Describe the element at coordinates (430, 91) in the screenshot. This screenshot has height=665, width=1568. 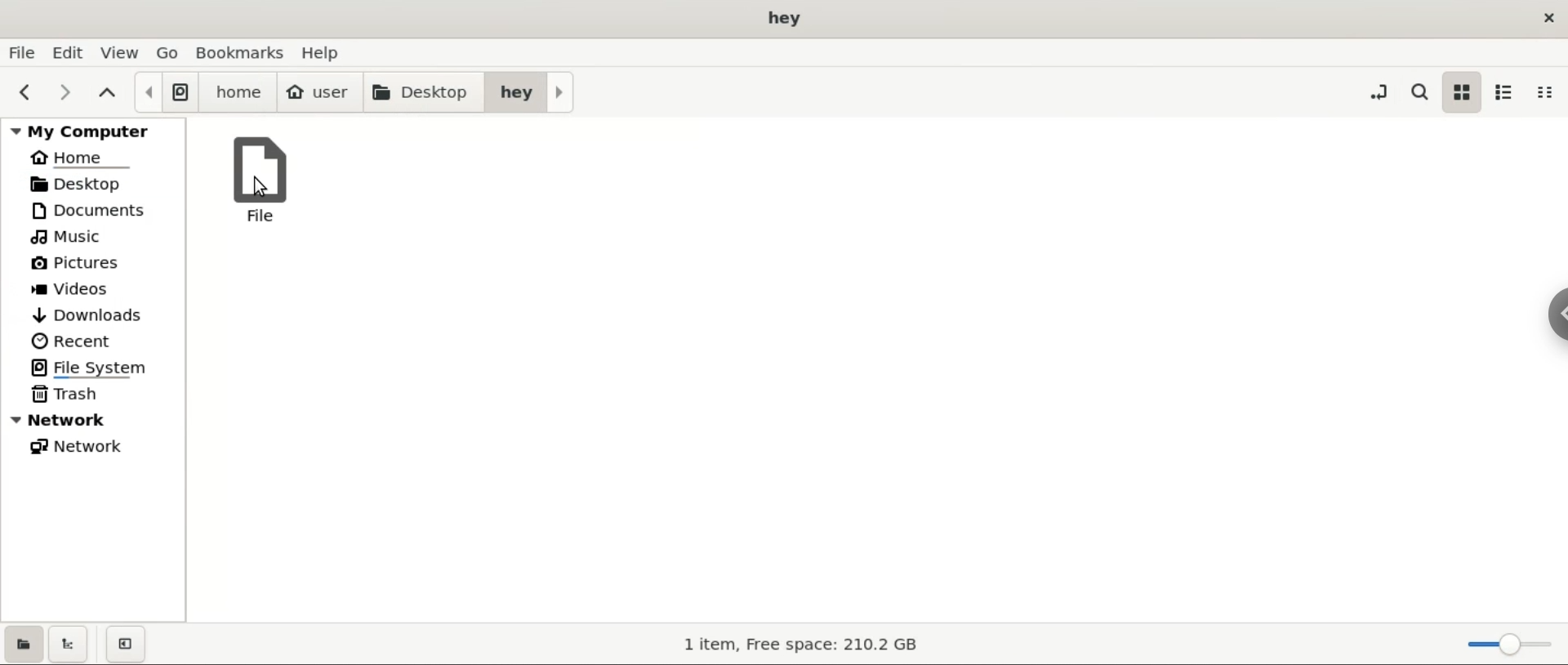
I see `desktop` at that location.